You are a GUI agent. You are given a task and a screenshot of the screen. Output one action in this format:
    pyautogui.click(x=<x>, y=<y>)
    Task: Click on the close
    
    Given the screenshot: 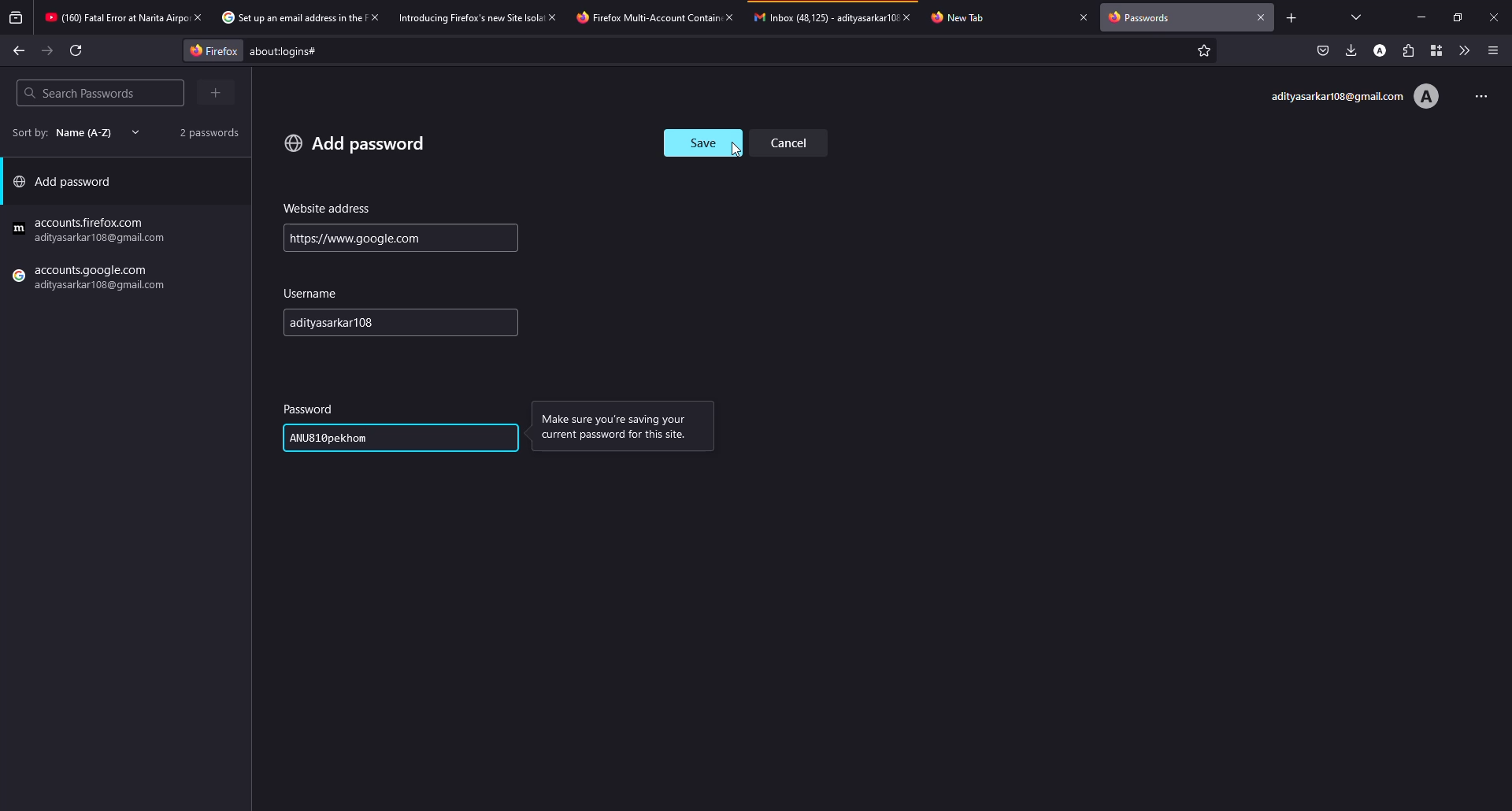 What is the action you would take?
    pyautogui.click(x=1262, y=16)
    